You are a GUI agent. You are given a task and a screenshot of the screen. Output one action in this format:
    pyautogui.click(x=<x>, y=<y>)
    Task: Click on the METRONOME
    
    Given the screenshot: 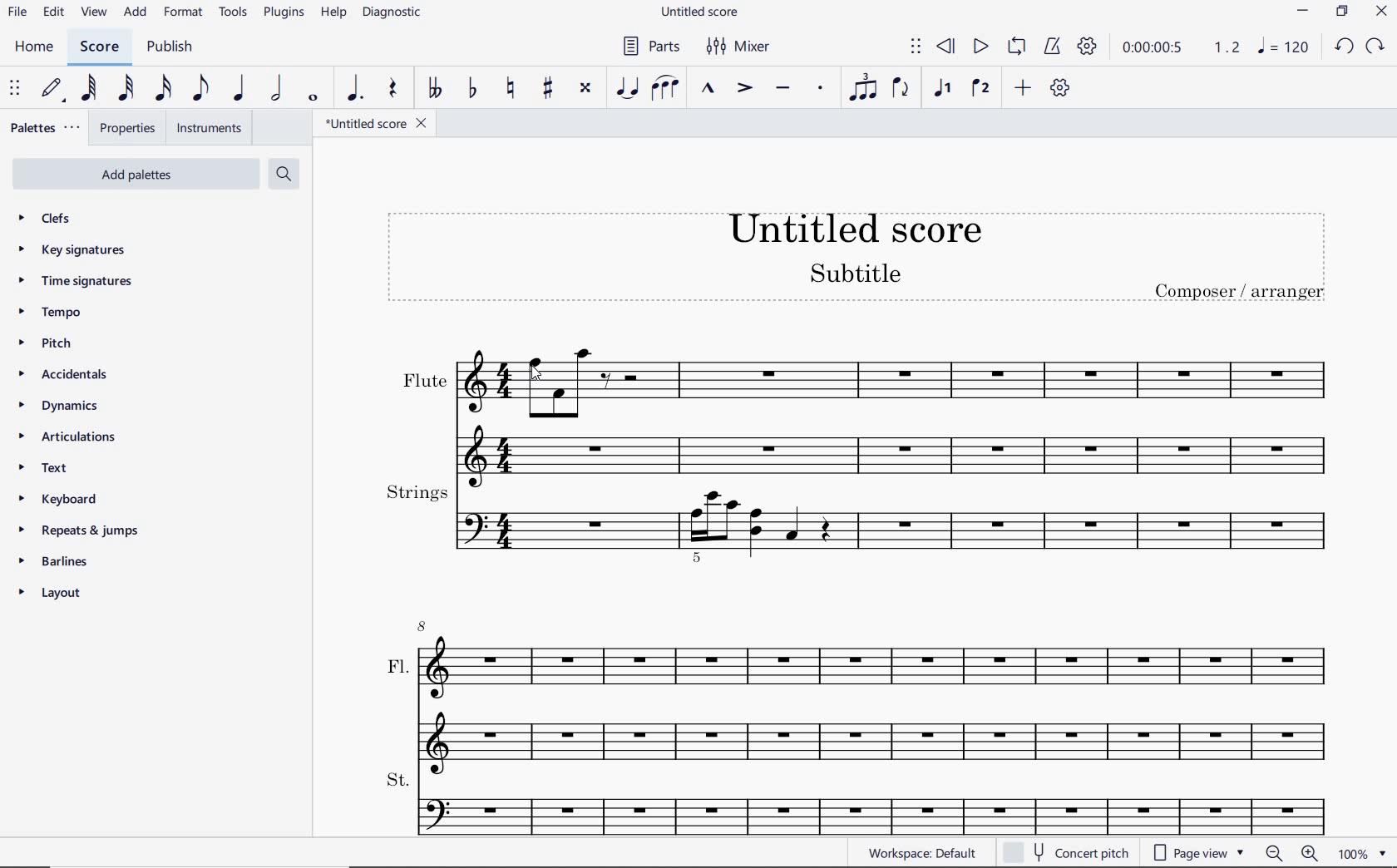 What is the action you would take?
    pyautogui.click(x=1054, y=46)
    